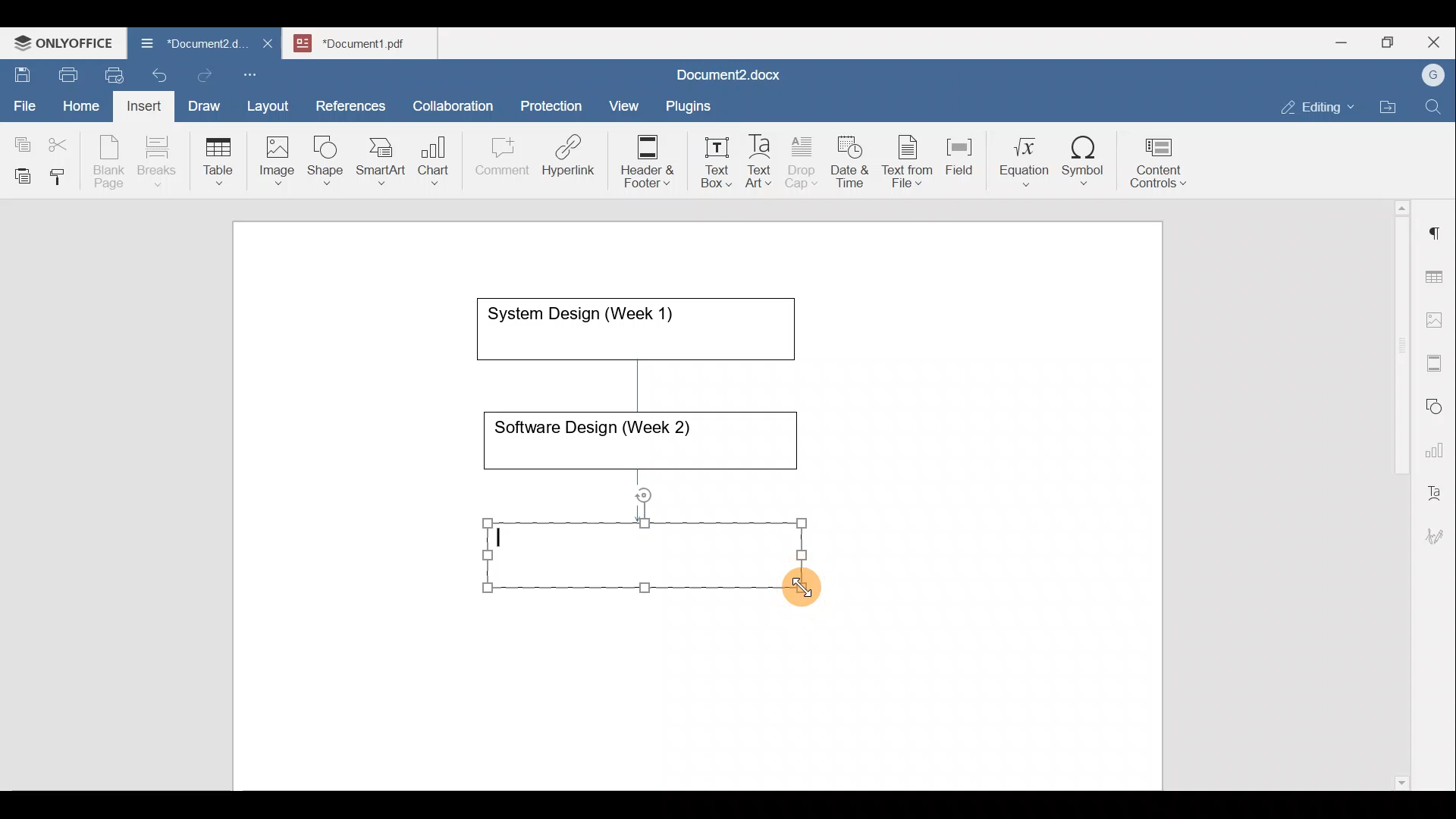 This screenshot has height=819, width=1456. What do you see at coordinates (1429, 76) in the screenshot?
I see `Account name` at bounding box center [1429, 76].